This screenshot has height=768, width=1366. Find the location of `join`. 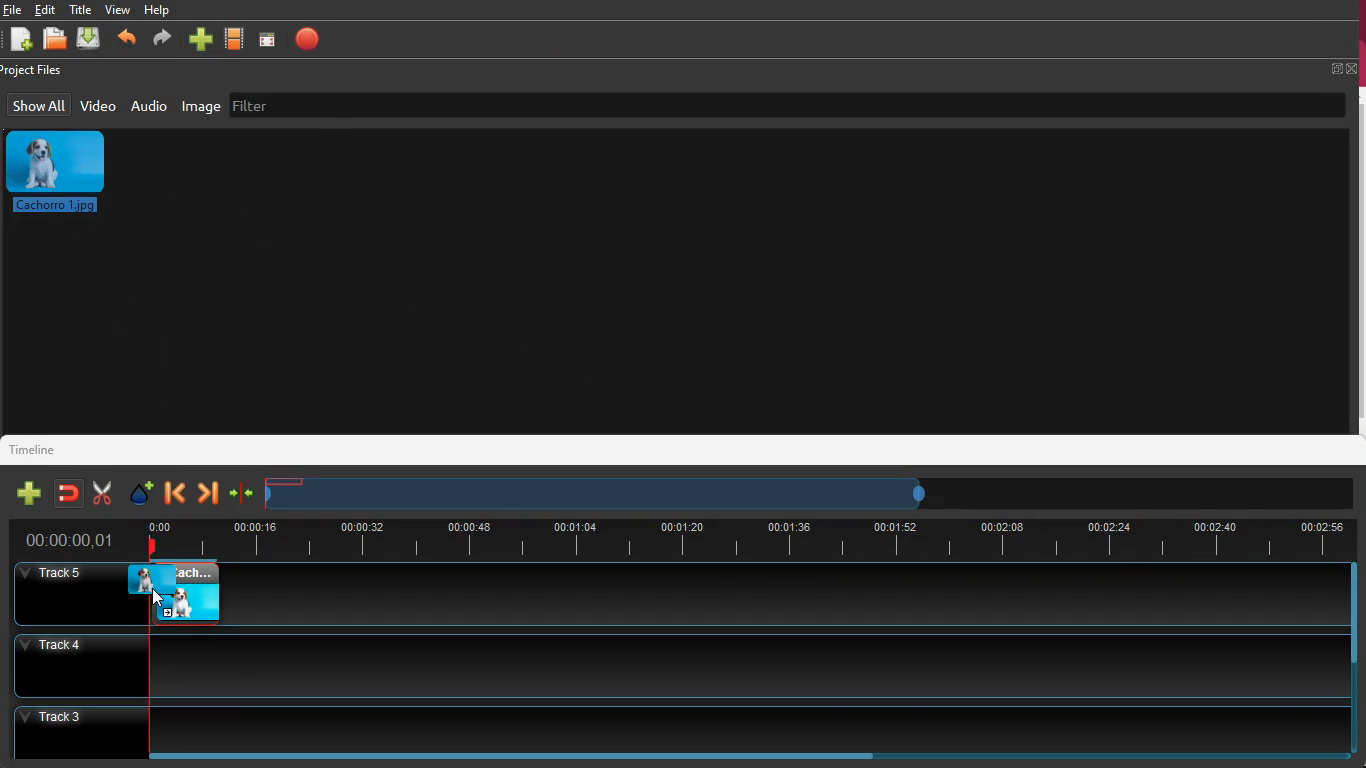

join is located at coordinates (242, 493).